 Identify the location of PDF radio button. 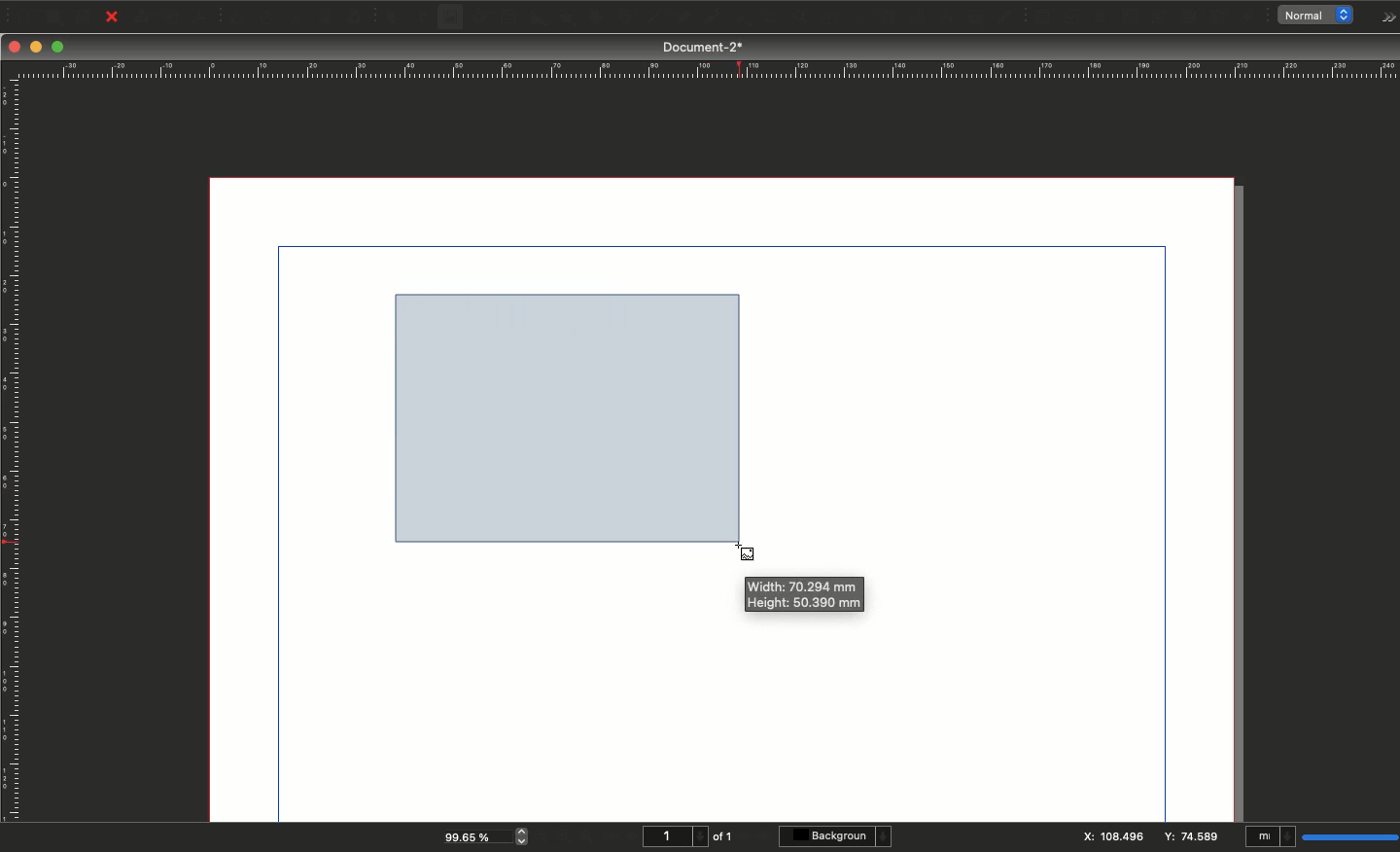
(1102, 18).